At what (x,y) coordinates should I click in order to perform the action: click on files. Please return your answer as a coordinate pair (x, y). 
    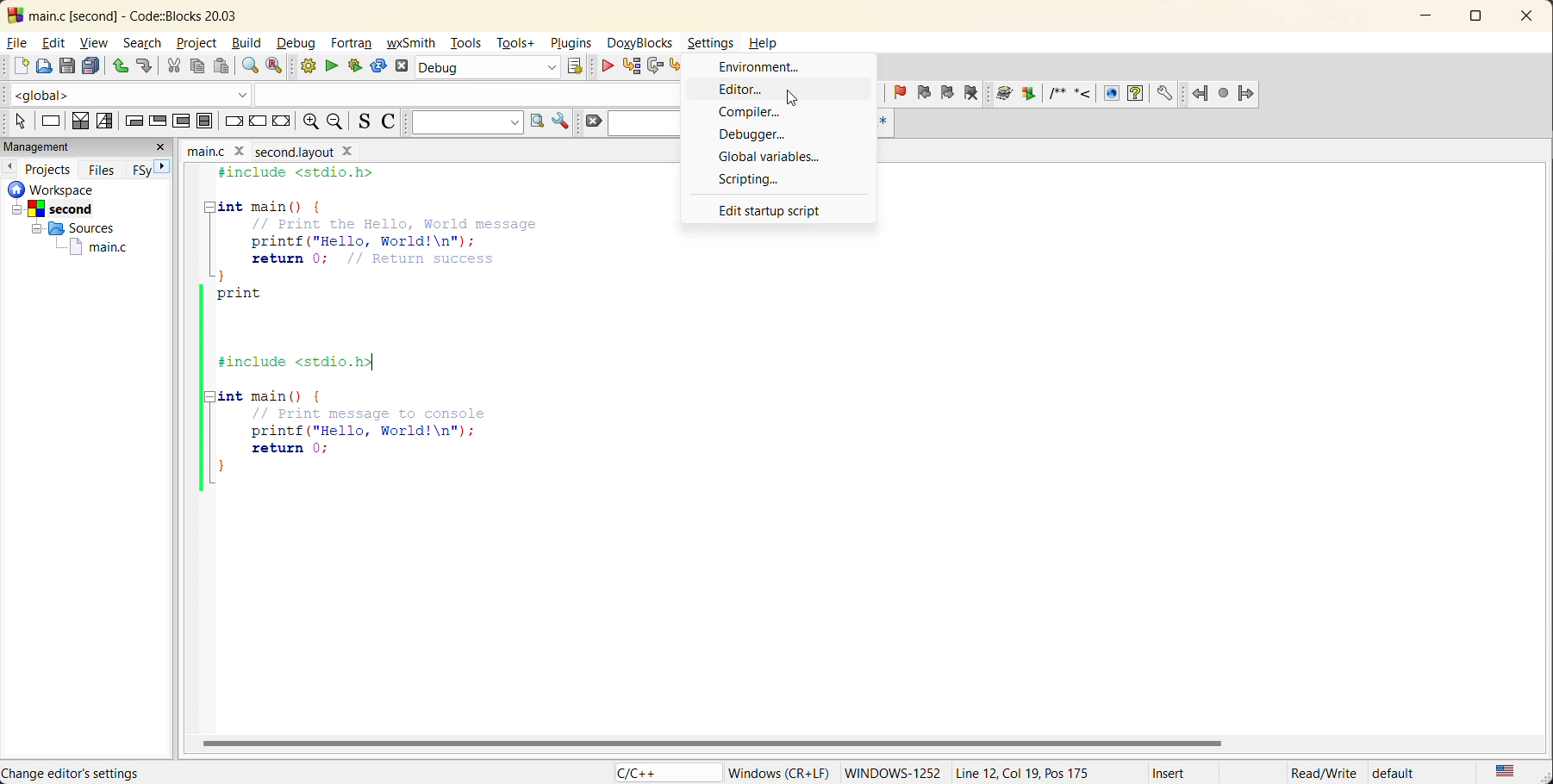
    Looking at the image, I should click on (104, 172).